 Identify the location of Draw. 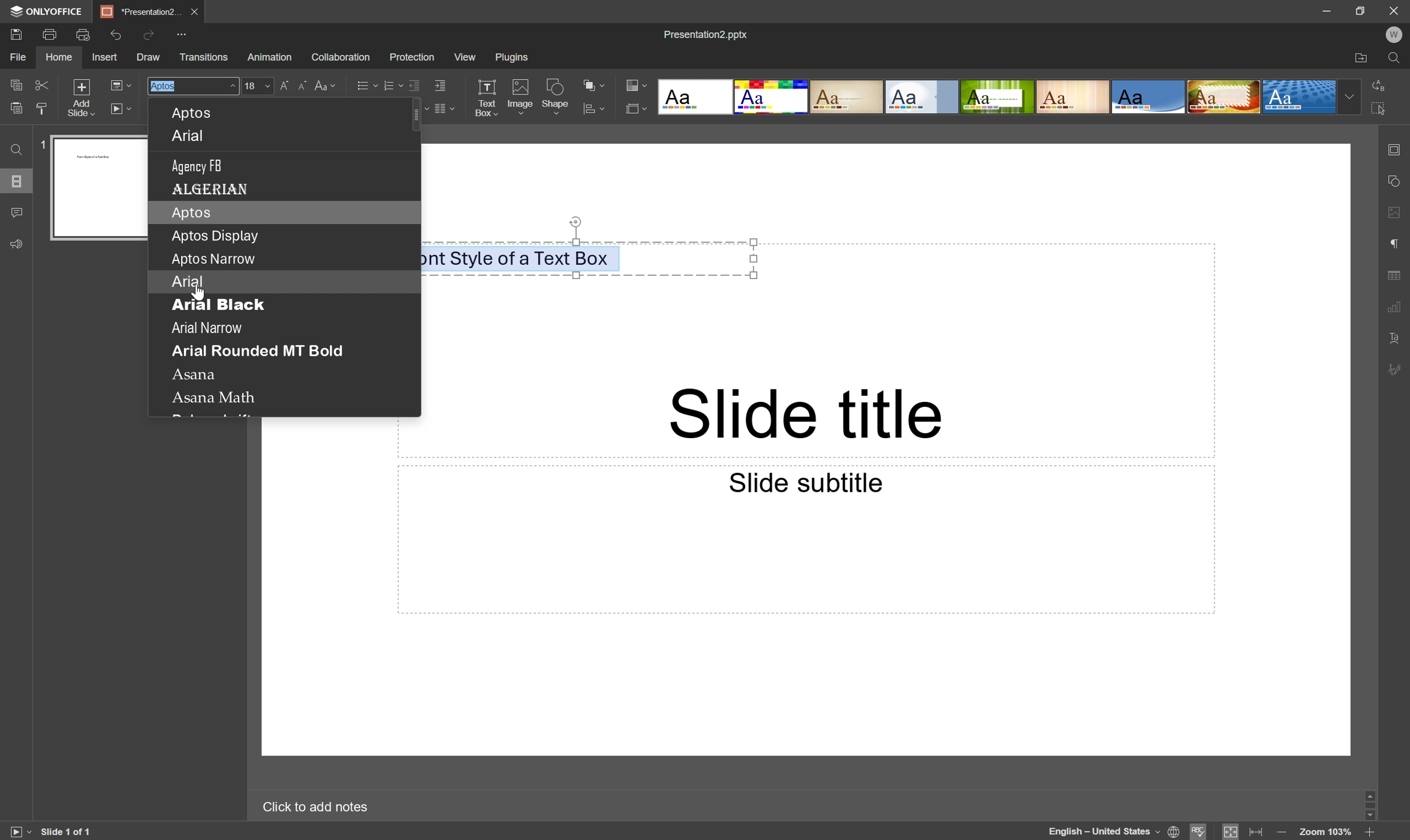
(150, 55).